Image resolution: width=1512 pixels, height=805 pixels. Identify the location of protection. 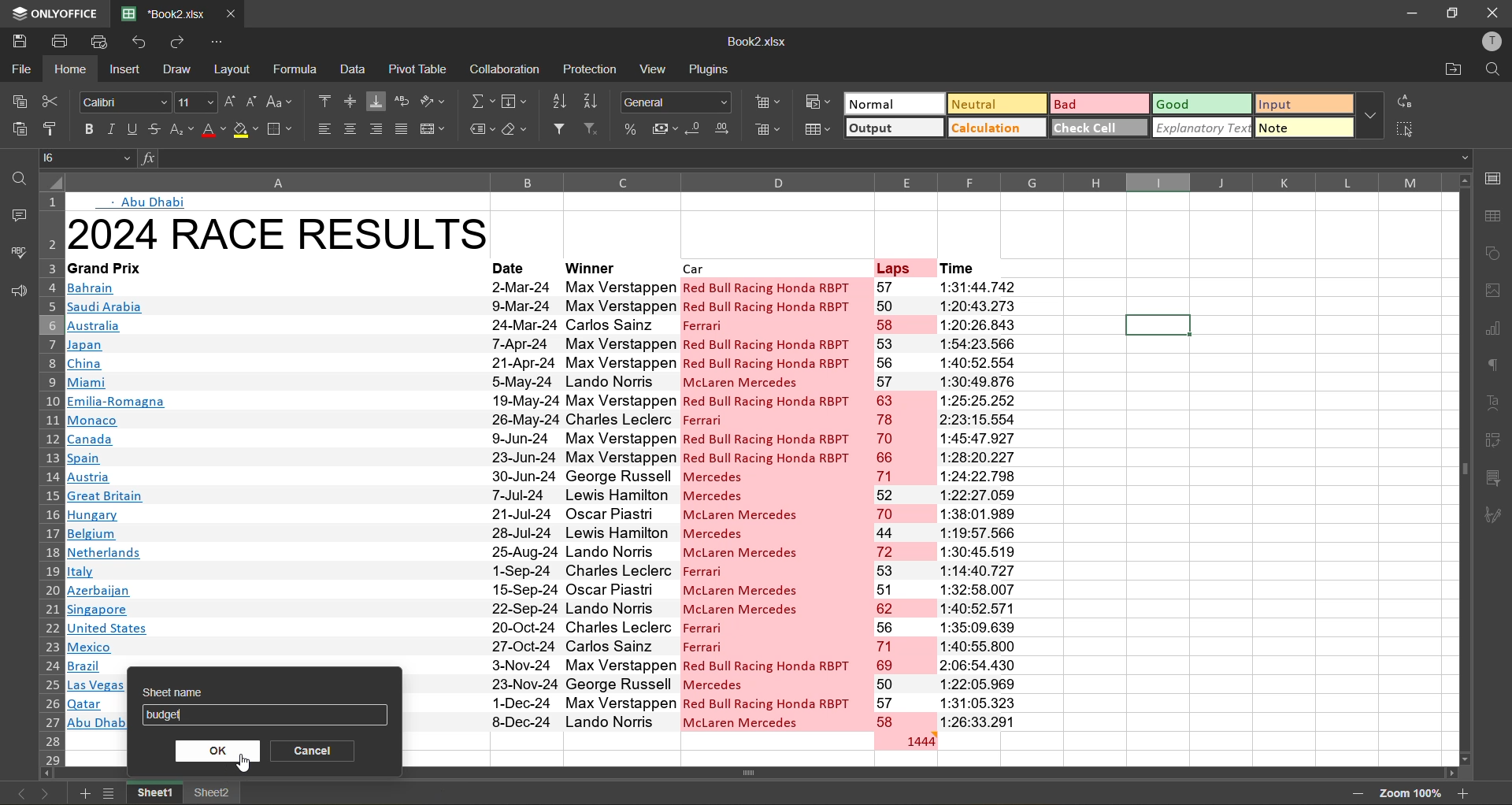
(591, 70).